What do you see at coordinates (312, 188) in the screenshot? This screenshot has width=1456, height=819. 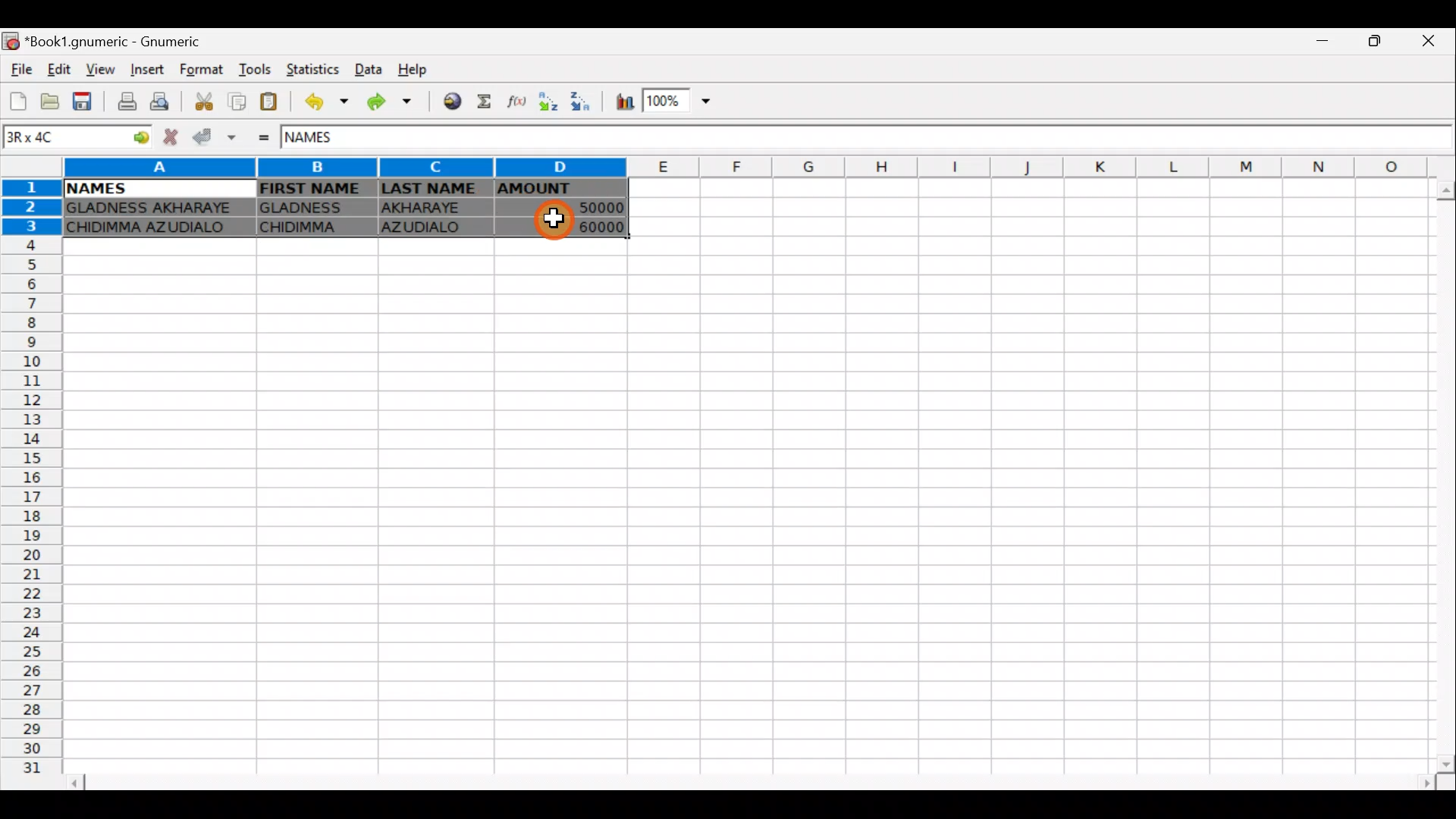 I see `FIRST NAME` at bounding box center [312, 188].